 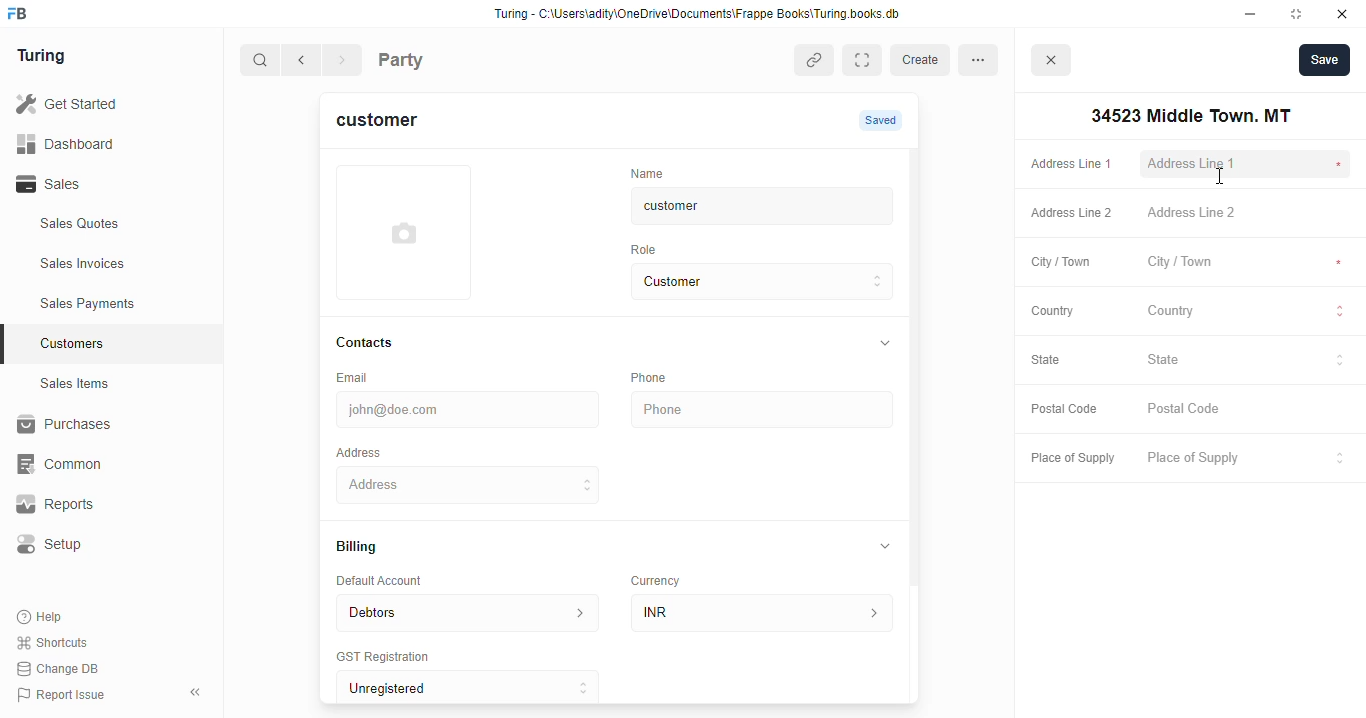 What do you see at coordinates (1251, 14) in the screenshot?
I see `minimise` at bounding box center [1251, 14].